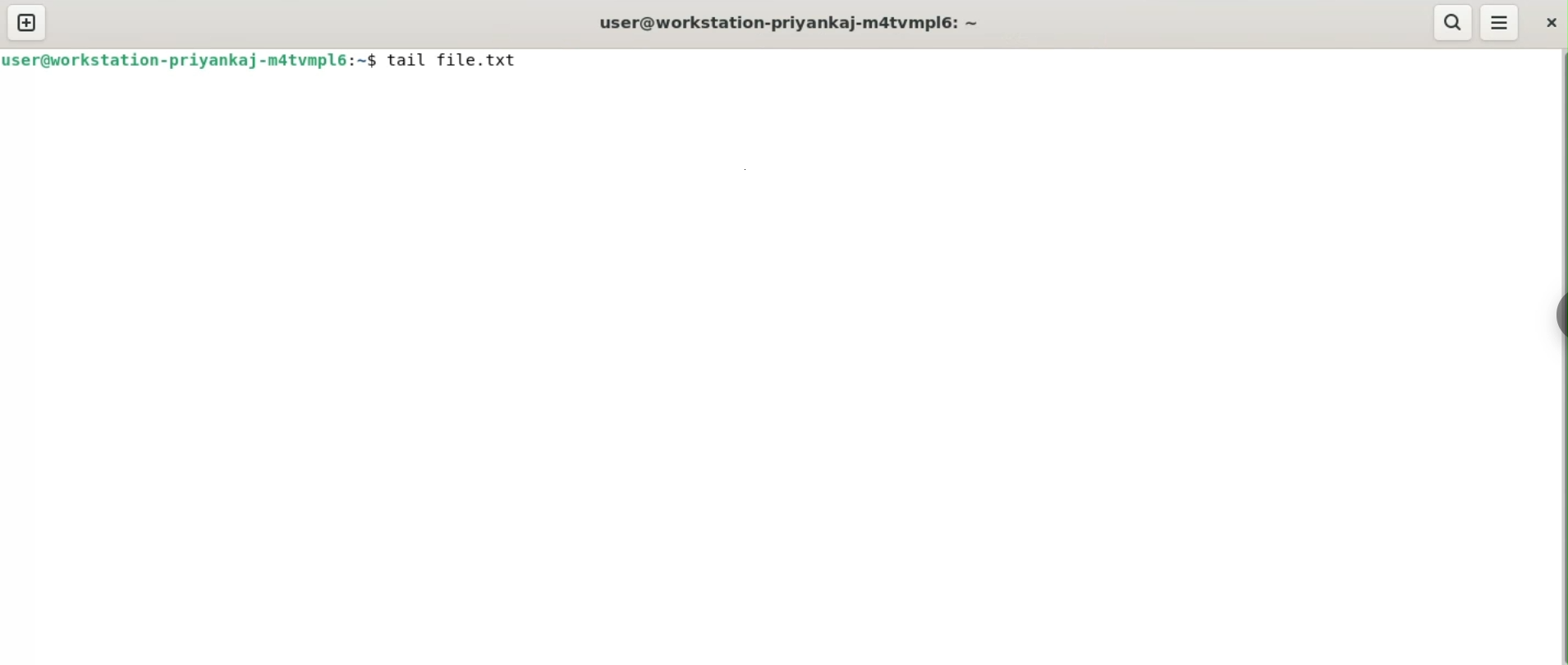 This screenshot has width=1568, height=665. What do you see at coordinates (1550, 21) in the screenshot?
I see `close` at bounding box center [1550, 21].